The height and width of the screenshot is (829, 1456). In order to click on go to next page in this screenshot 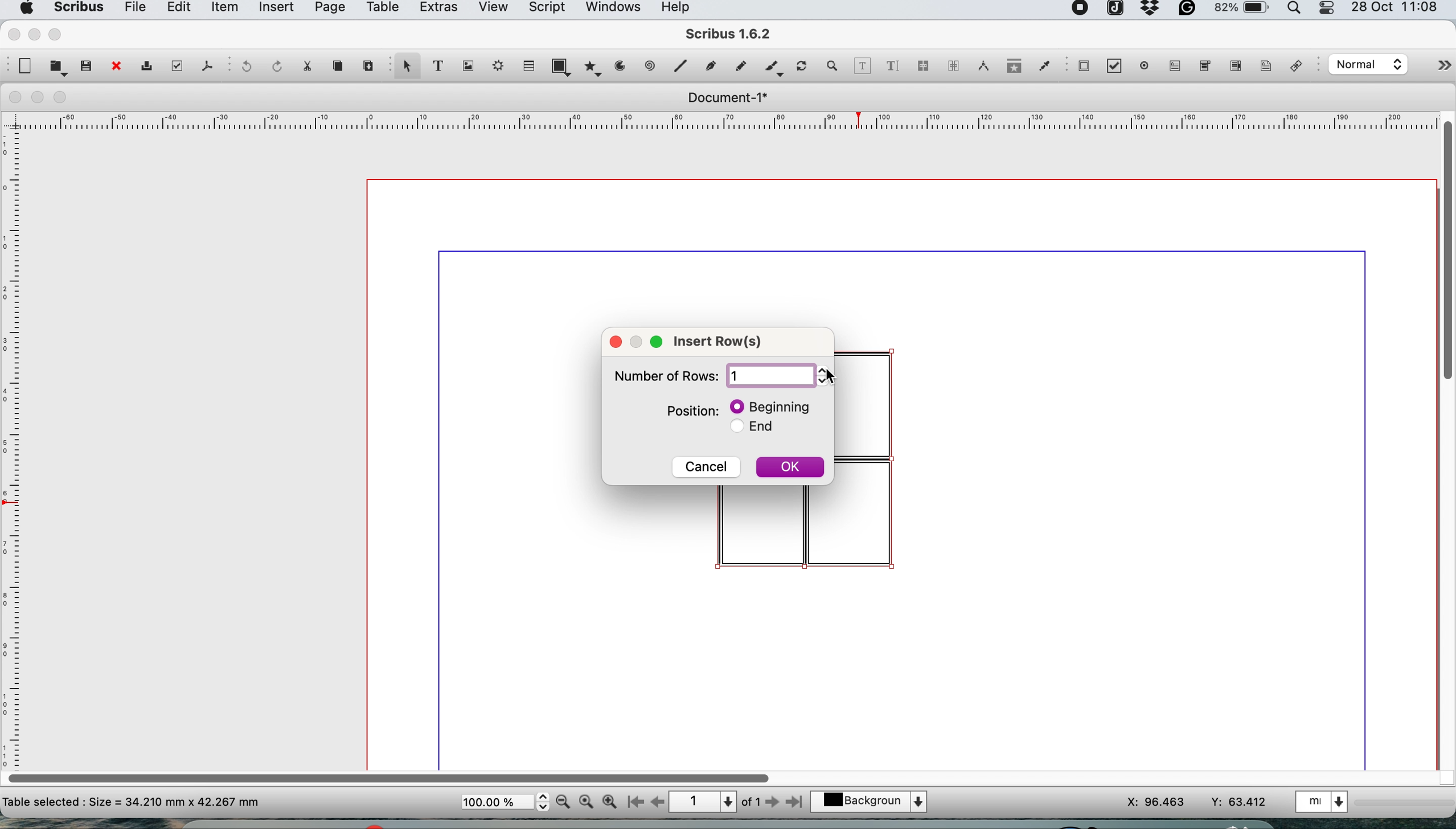, I will do `click(772, 803)`.